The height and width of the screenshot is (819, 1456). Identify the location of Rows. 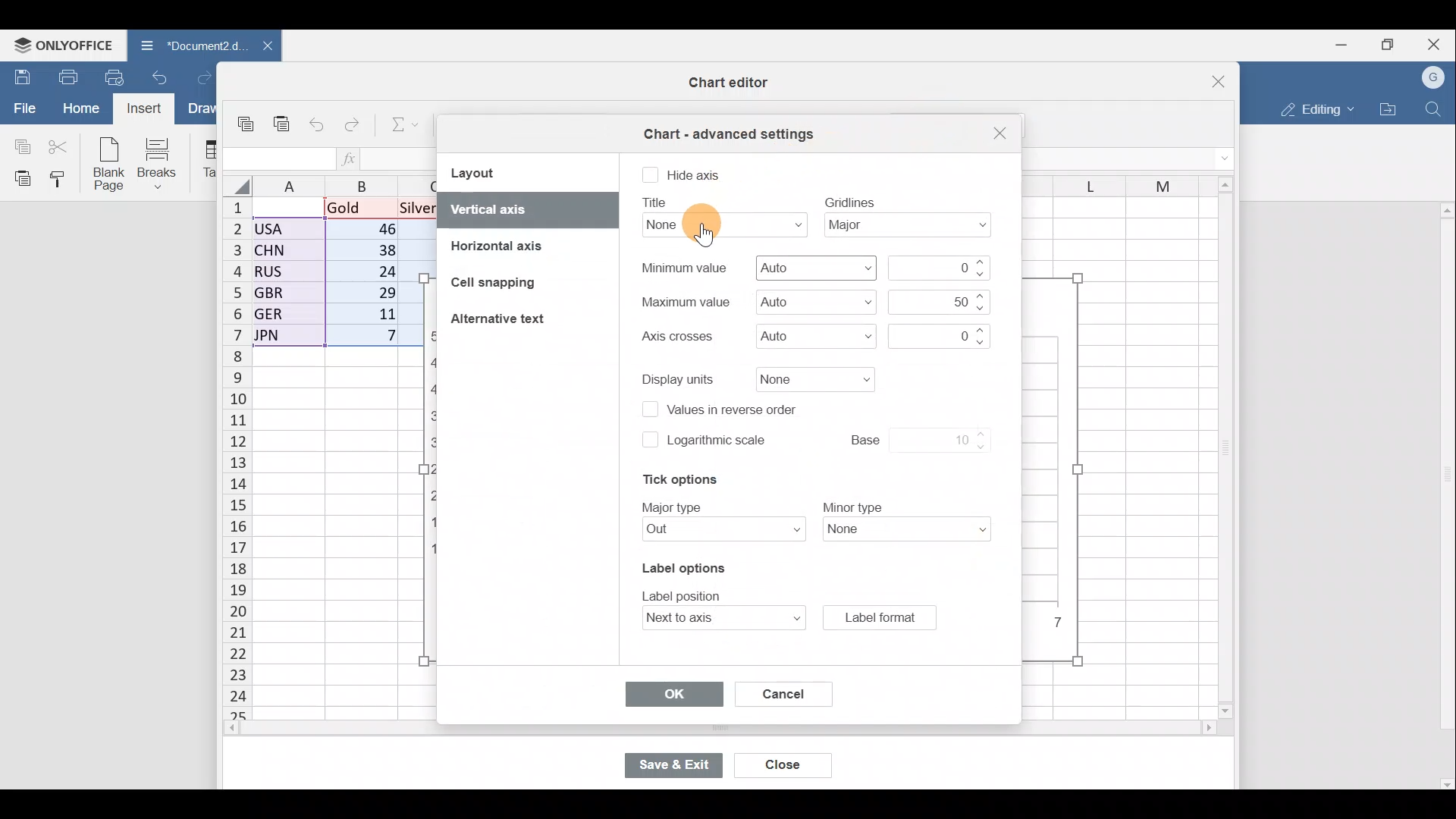
(227, 460).